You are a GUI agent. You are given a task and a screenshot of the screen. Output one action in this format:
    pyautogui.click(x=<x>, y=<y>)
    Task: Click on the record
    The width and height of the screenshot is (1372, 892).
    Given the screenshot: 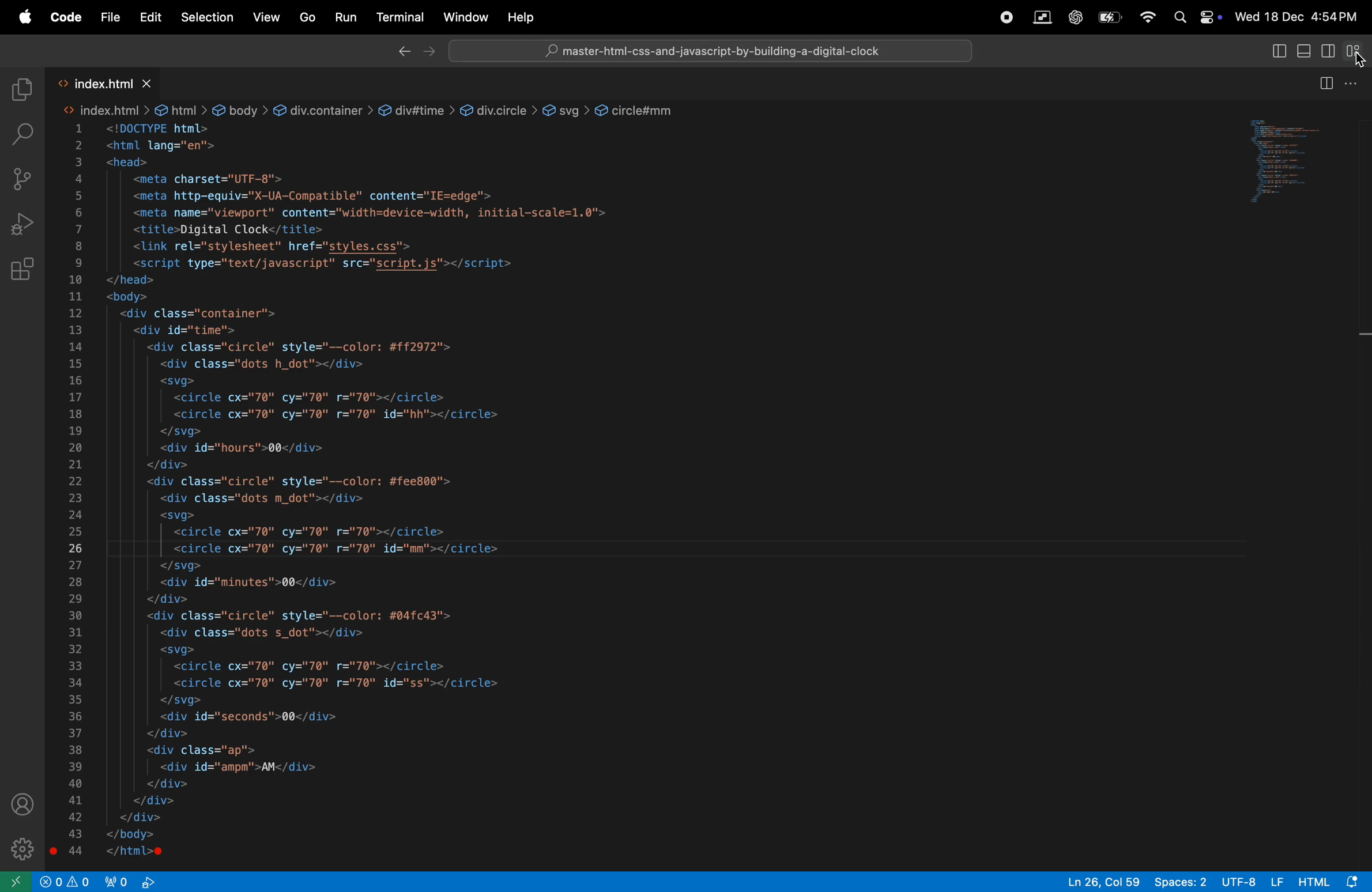 What is the action you would take?
    pyautogui.click(x=1006, y=17)
    